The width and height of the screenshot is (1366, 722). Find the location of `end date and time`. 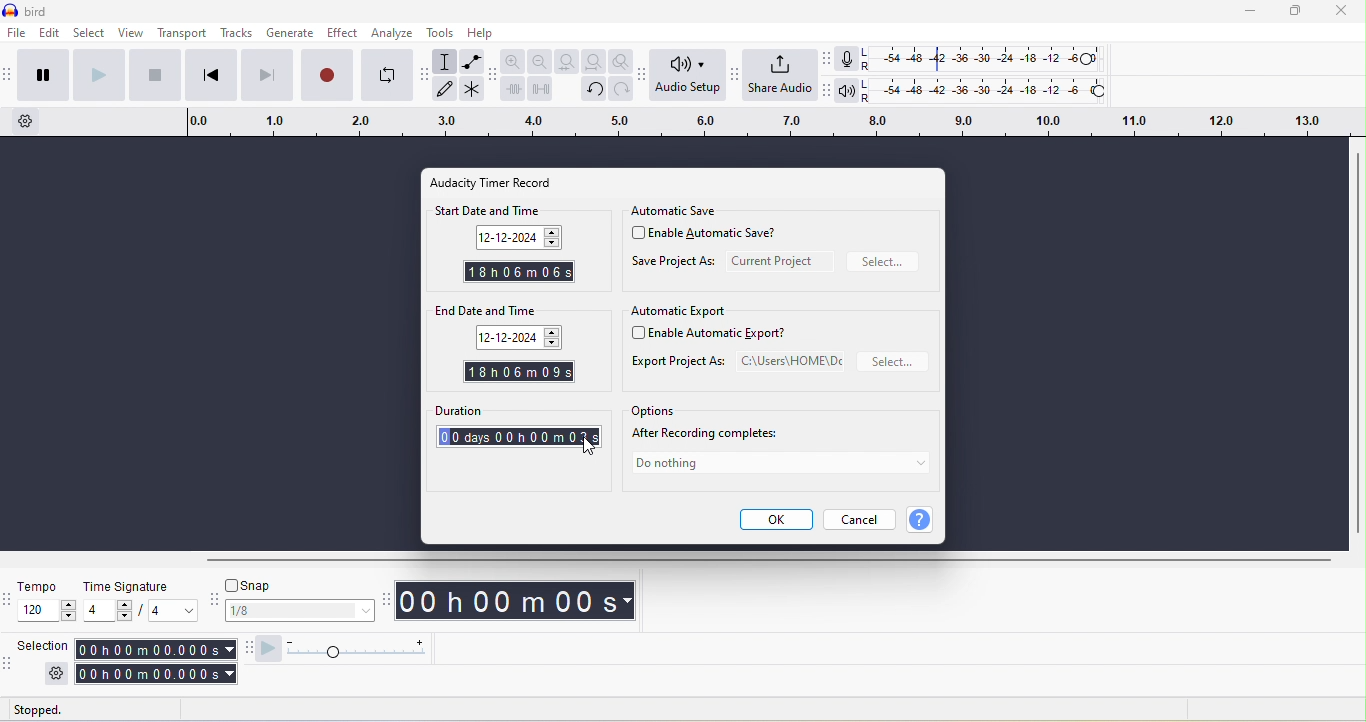

end date and time is located at coordinates (512, 311).